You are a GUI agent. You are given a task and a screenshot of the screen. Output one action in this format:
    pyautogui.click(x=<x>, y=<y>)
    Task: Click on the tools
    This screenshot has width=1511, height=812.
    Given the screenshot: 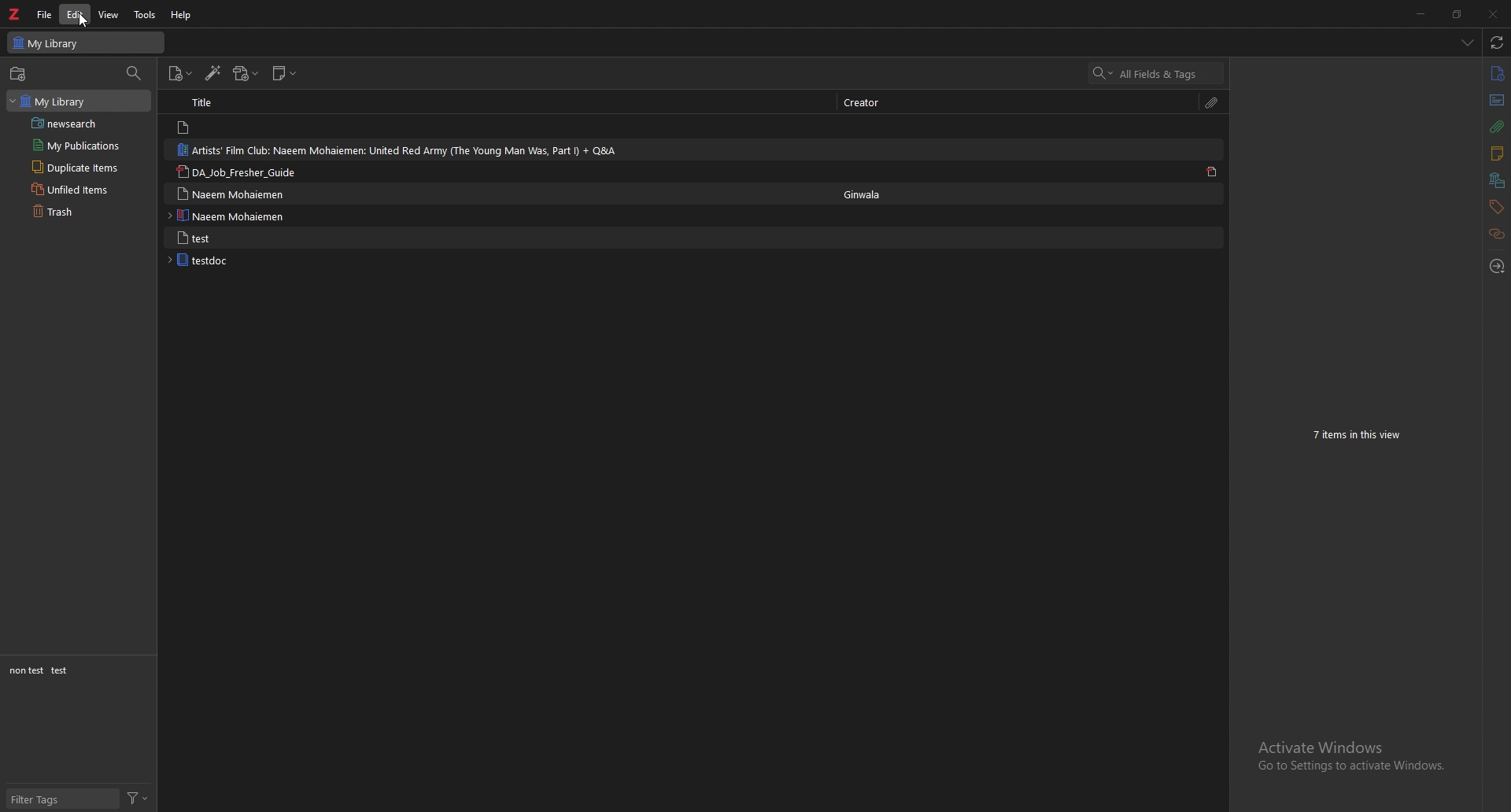 What is the action you would take?
    pyautogui.click(x=145, y=14)
    